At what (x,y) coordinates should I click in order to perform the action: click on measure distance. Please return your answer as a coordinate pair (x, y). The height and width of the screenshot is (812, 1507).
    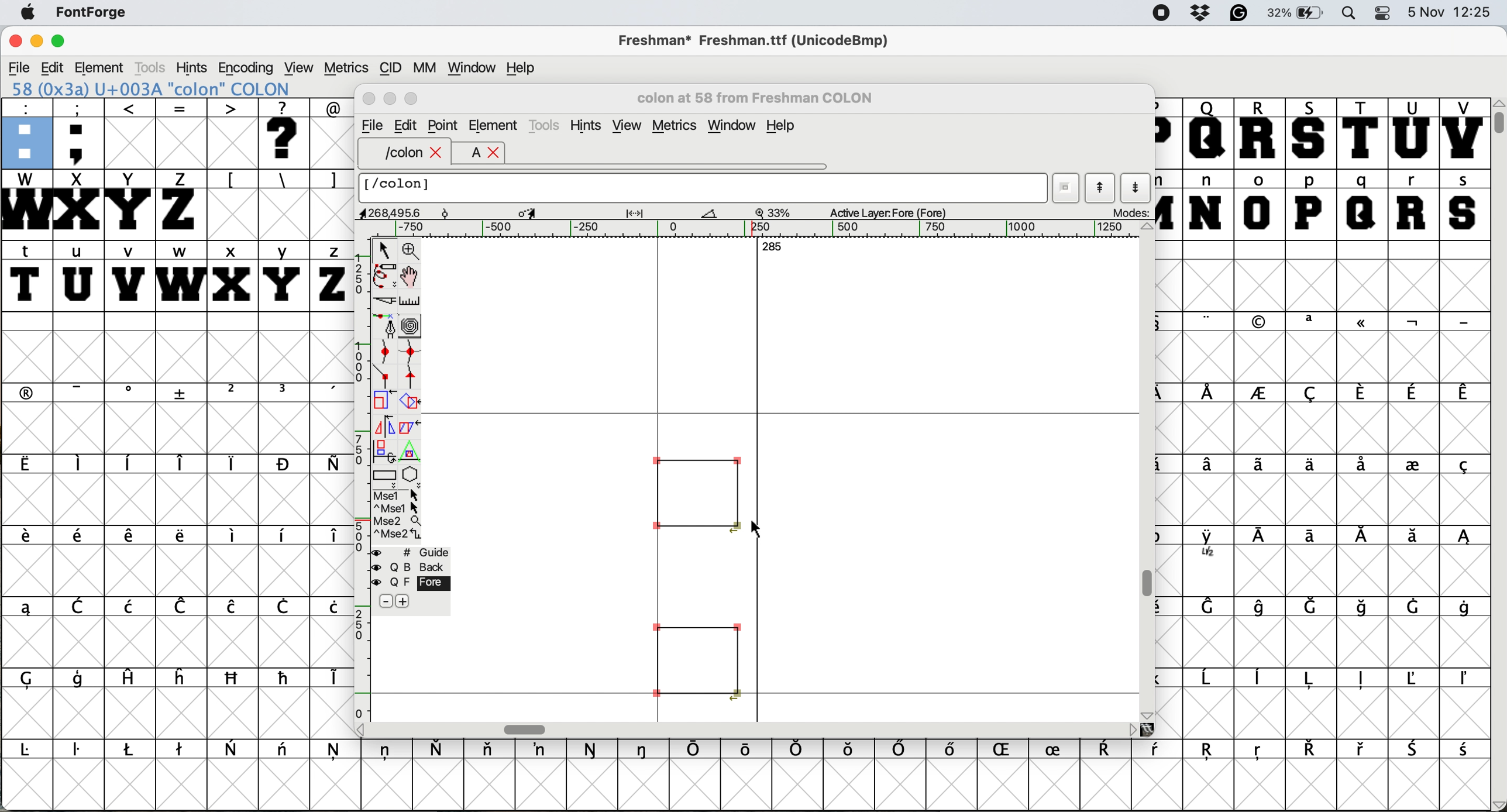
    Looking at the image, I should click on (410, 299).